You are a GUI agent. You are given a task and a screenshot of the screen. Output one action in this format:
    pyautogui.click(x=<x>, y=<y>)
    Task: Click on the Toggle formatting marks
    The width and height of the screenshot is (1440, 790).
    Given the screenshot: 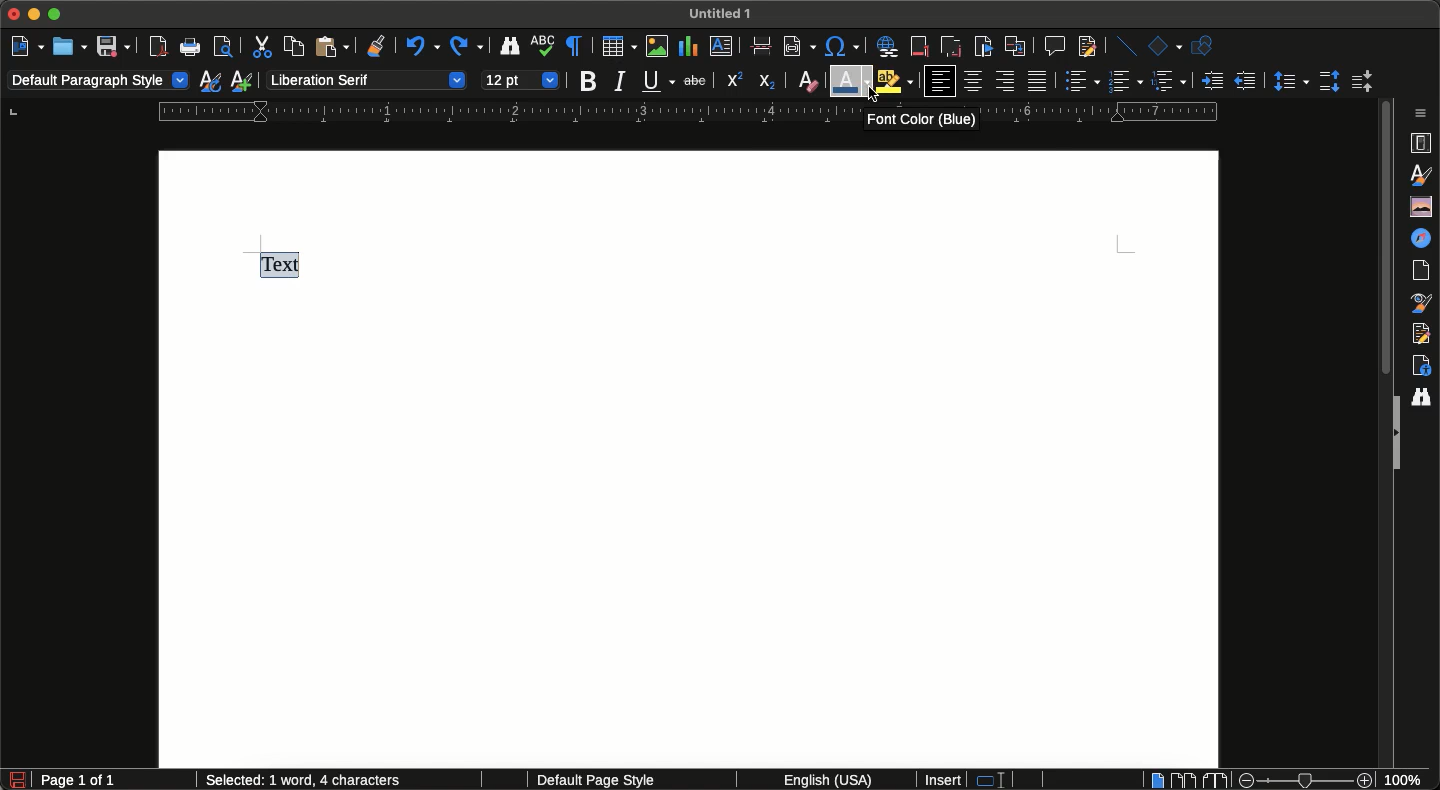 What is the action you would take?
    pyautogui.click(x=576, y=46)
    